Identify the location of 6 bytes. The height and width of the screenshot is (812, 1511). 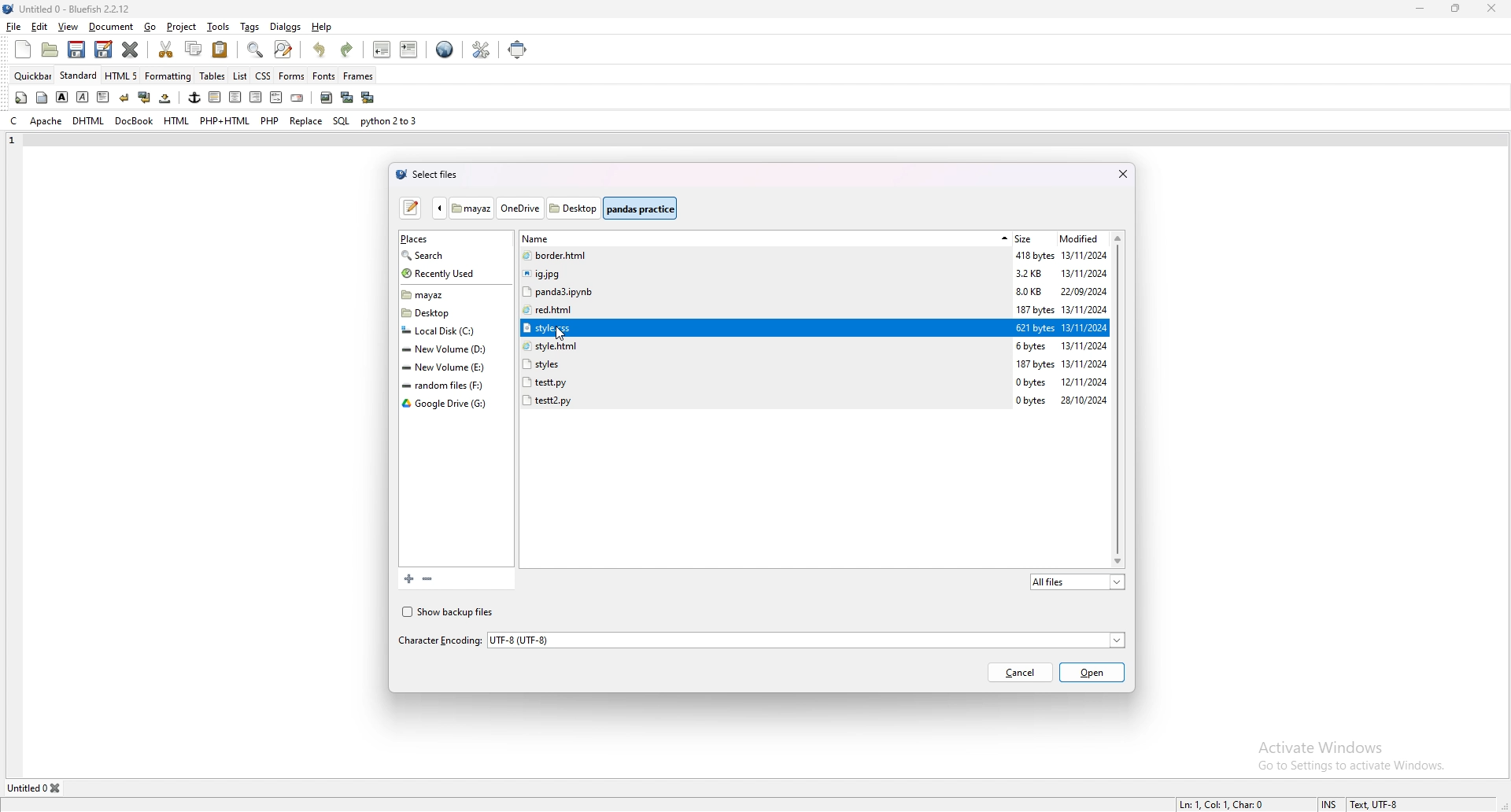
(1033, 347).